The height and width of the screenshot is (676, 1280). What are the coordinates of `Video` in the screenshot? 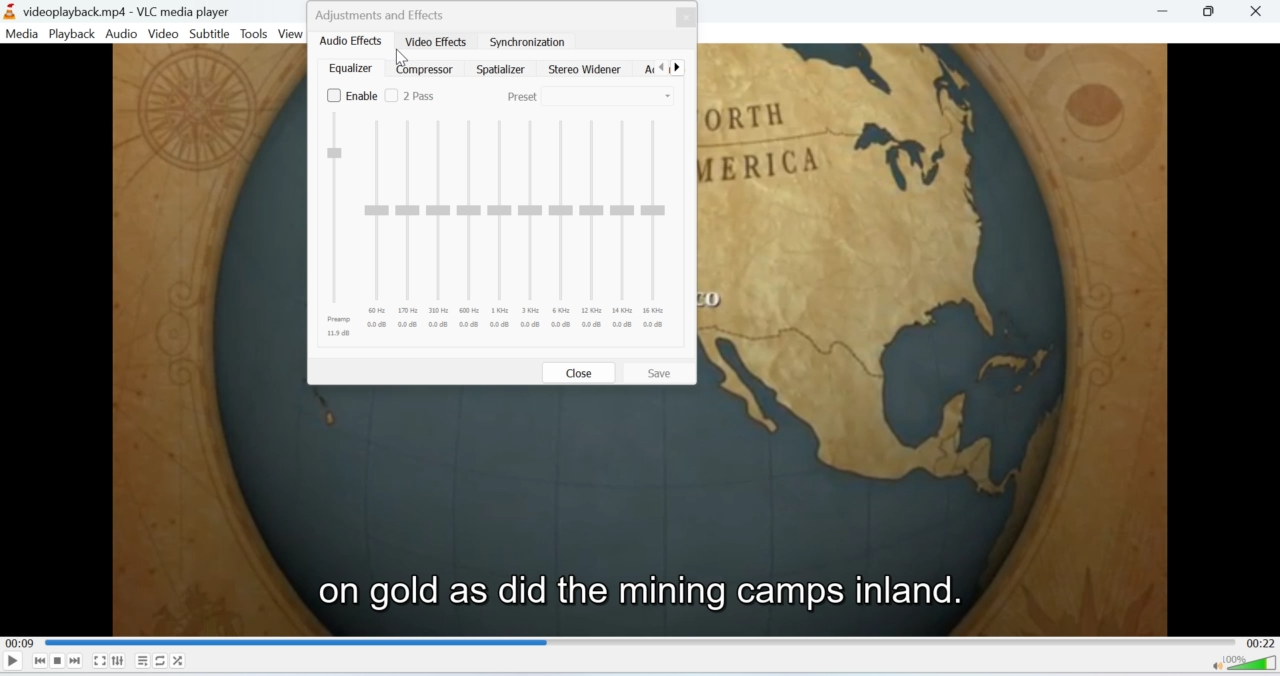 It's located at (165, 34).